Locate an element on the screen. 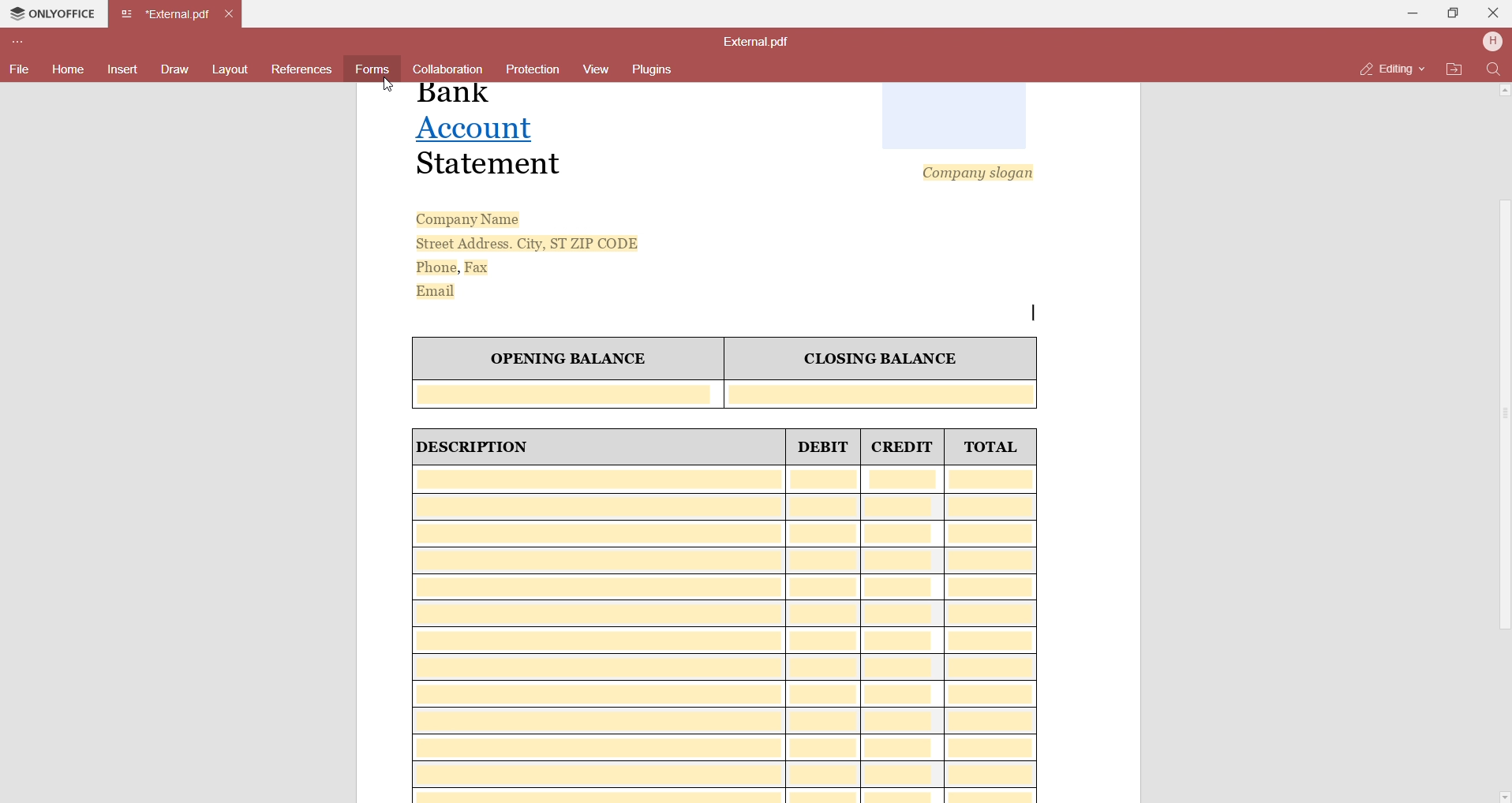 The image size is (1512, 803). OnlyOffice Application name is located at coordinates (51, 15).